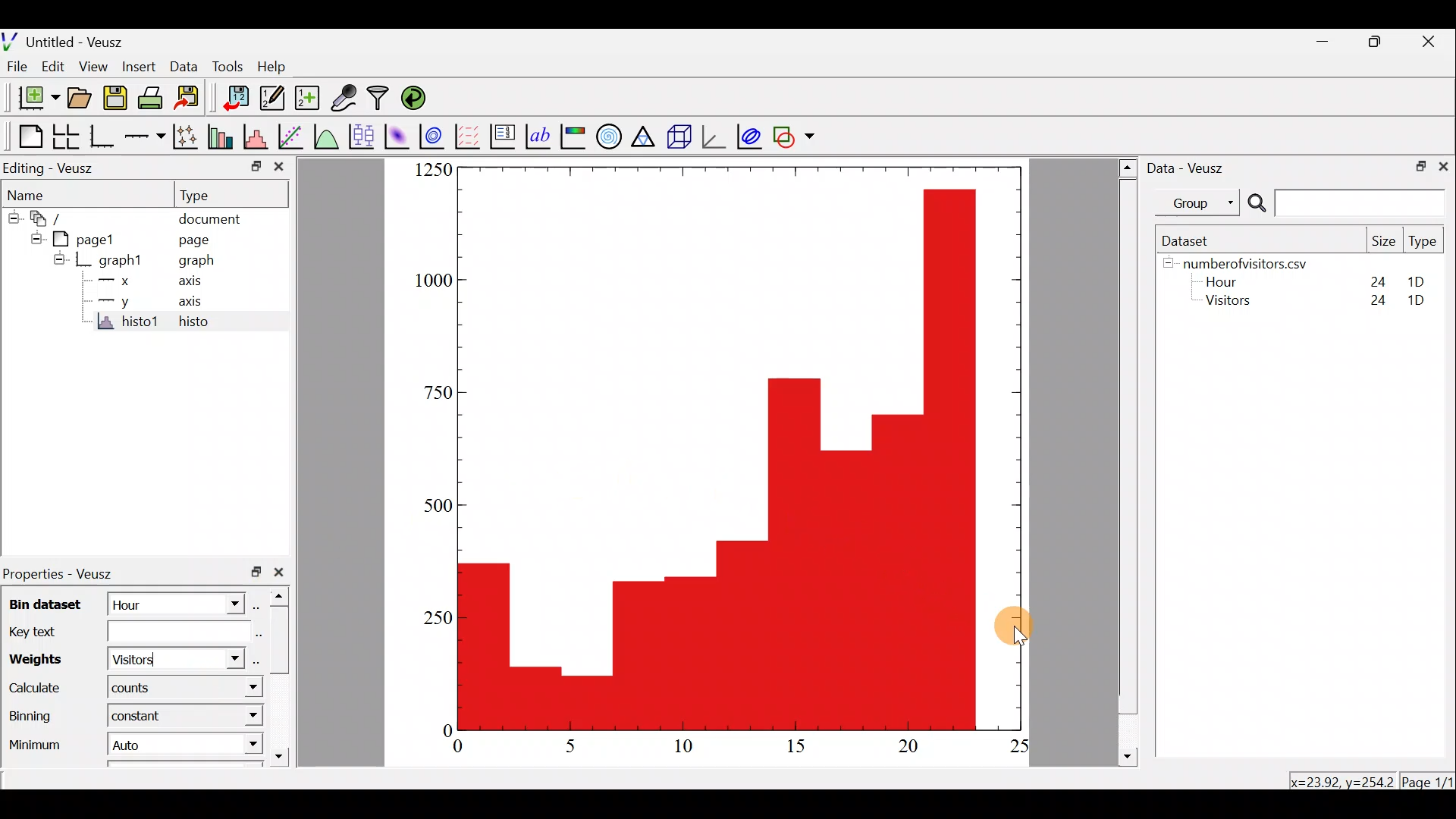 The width and height of the screenshot is (1456, 819). What do you see at coordinates (17, 67) in the screenshot?
I see `File` at bounding box center [17, 67].